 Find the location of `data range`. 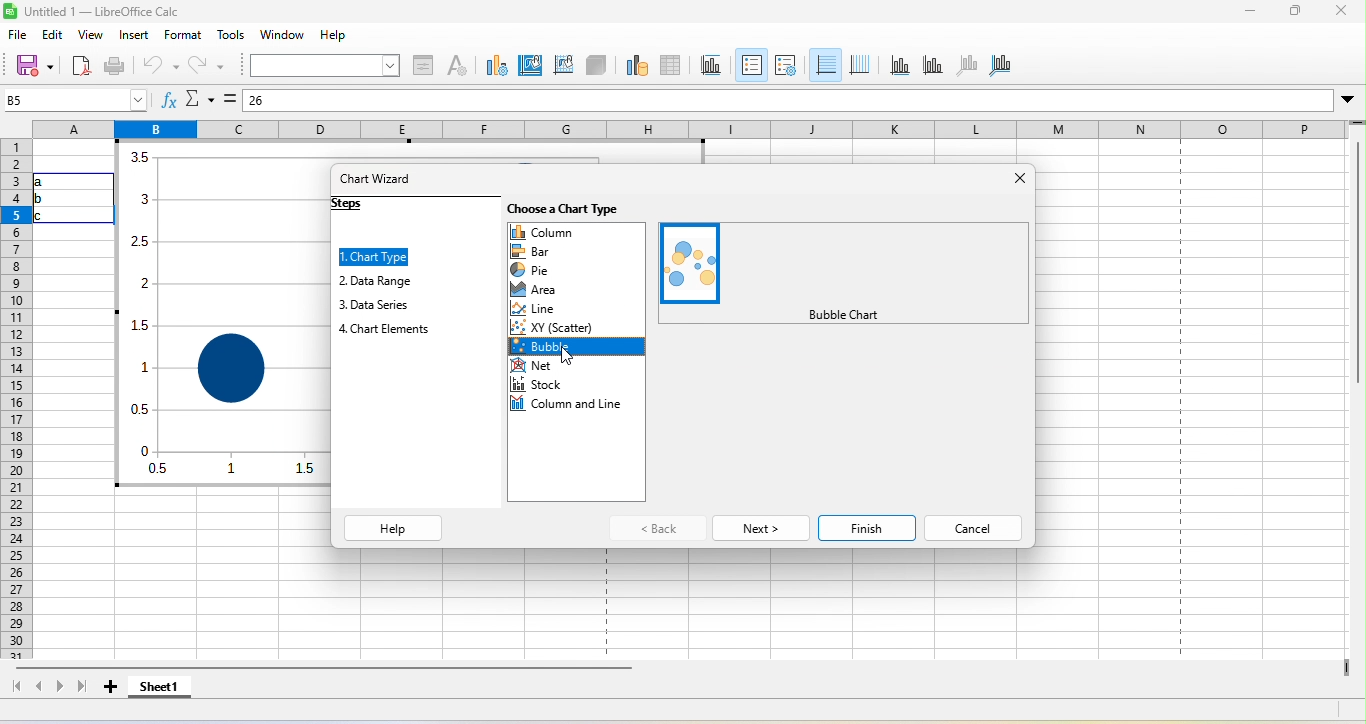

data range is located at coordinates (635, 65).